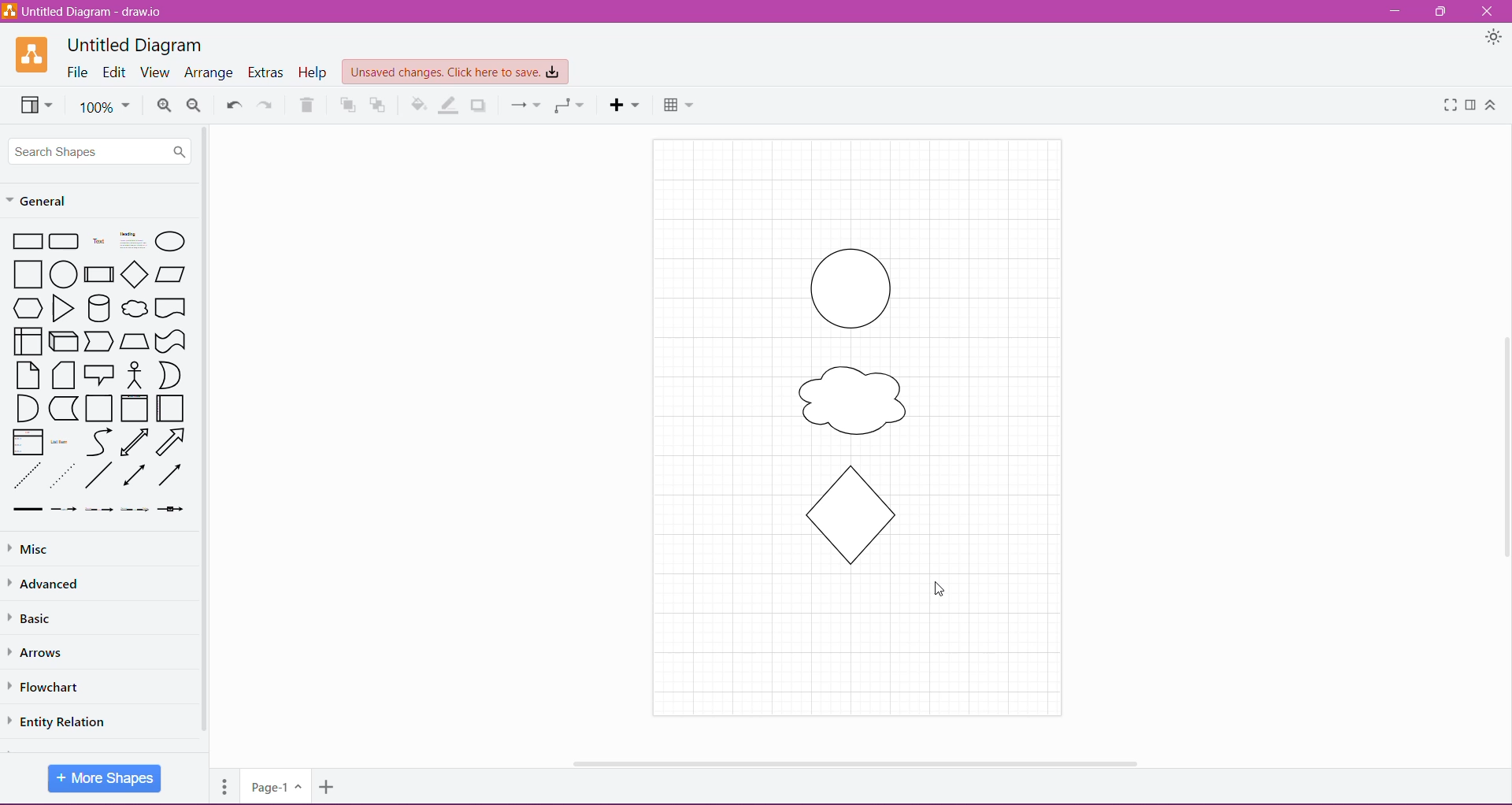 The width and height of the screenshot is (1512, 805). What do you see at coordinates (314, 72) in the screenshot?
I see `Help` at bounding box center [314, 72].